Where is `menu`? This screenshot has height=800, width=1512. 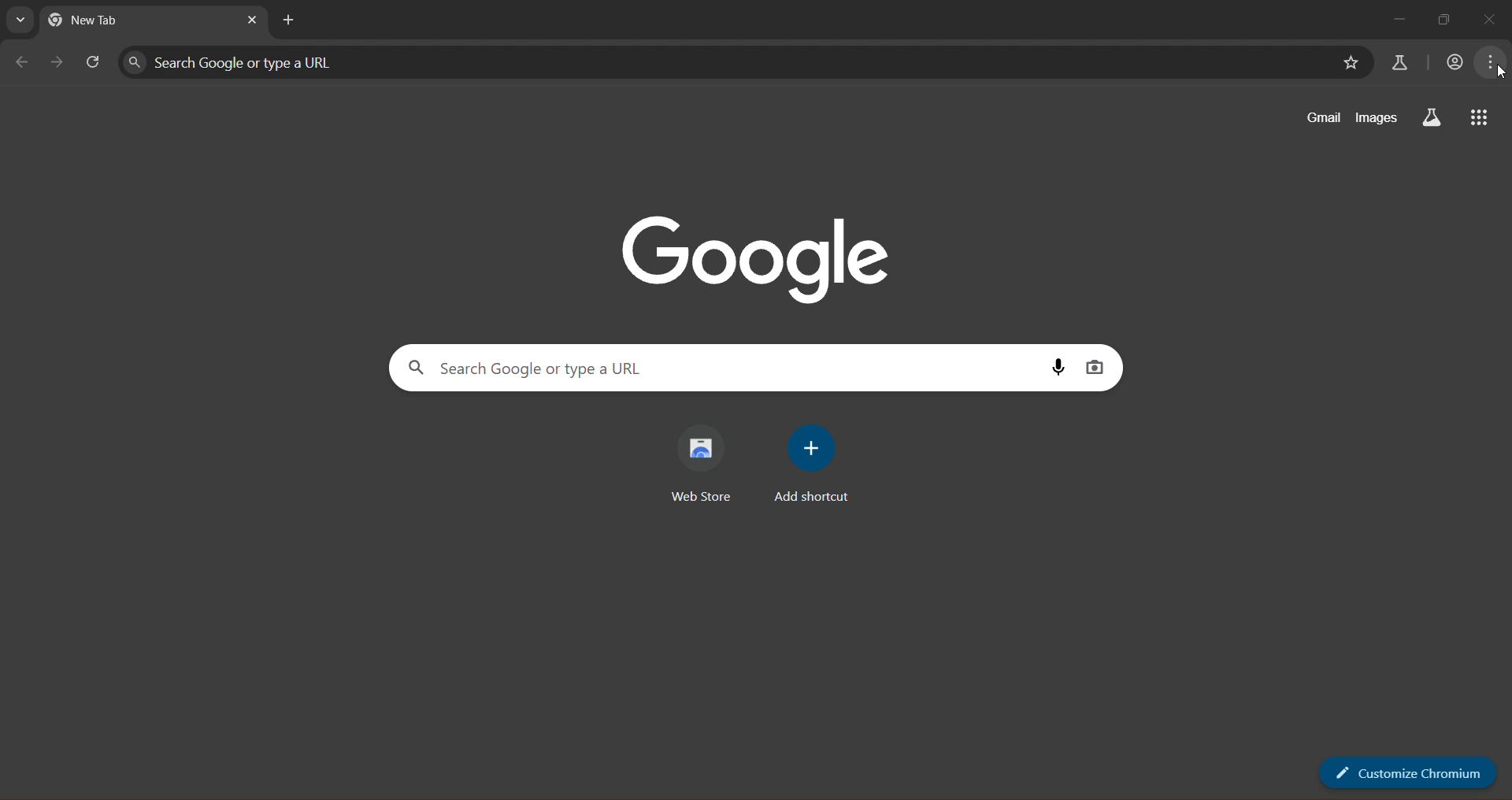
menu is located at coordinates (1490, 61).